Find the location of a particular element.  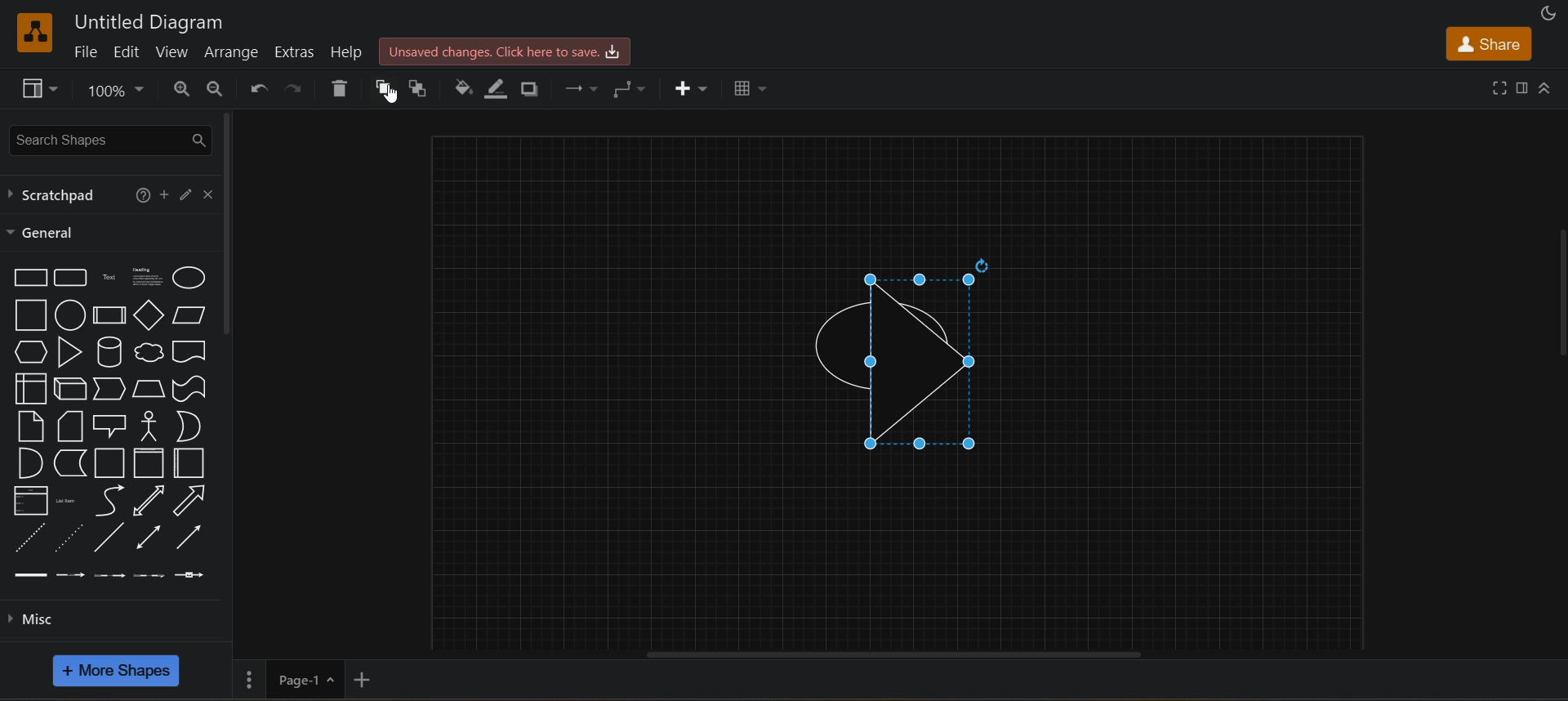

note  is located at coordinates (32, 426).